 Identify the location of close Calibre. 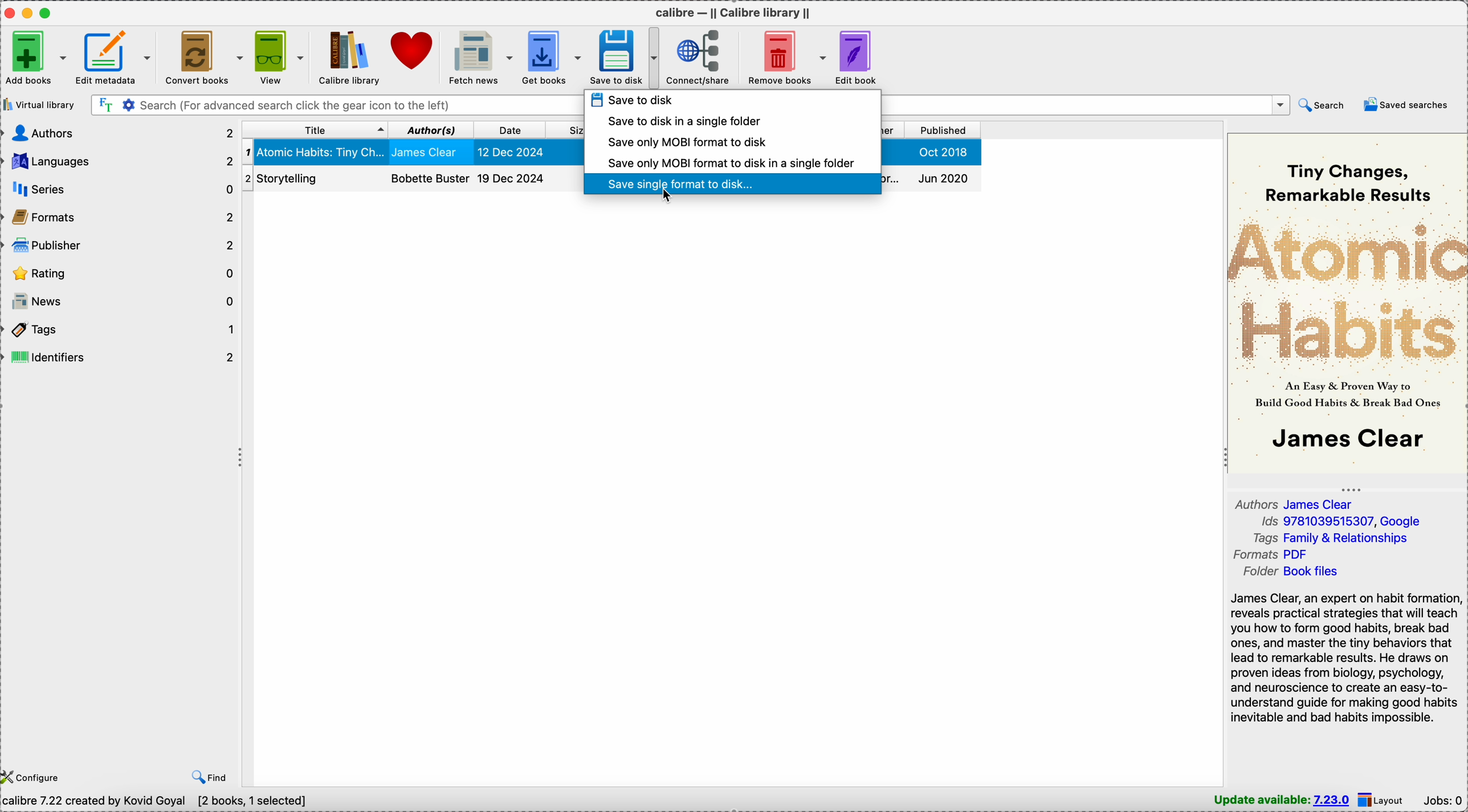
(9, 12).